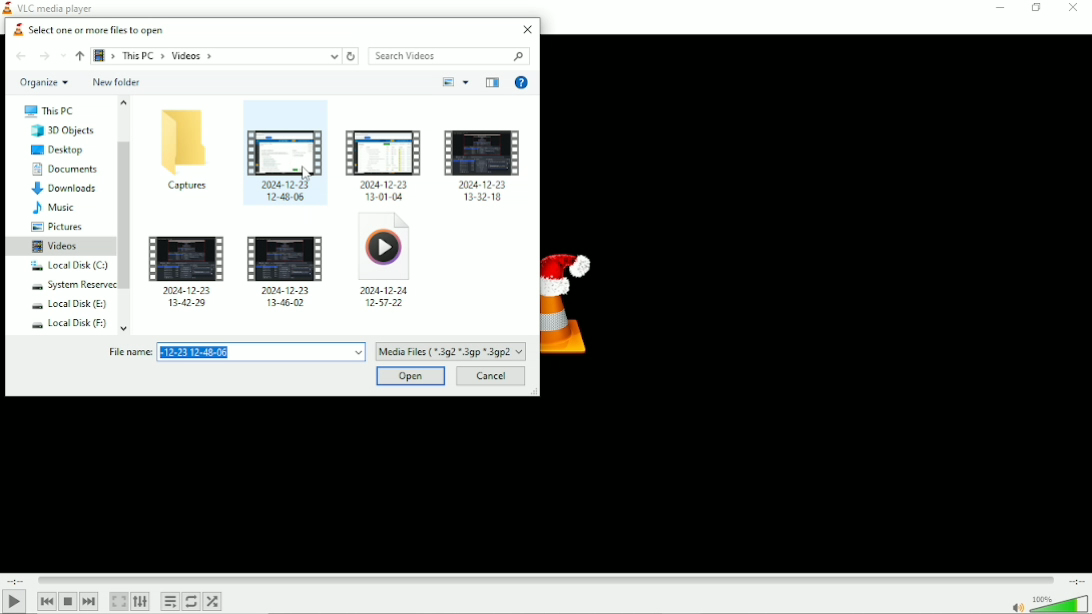 Image resolution: width=1092 pixels, height=614 pixels. I want to click on video, so click(386, 268).